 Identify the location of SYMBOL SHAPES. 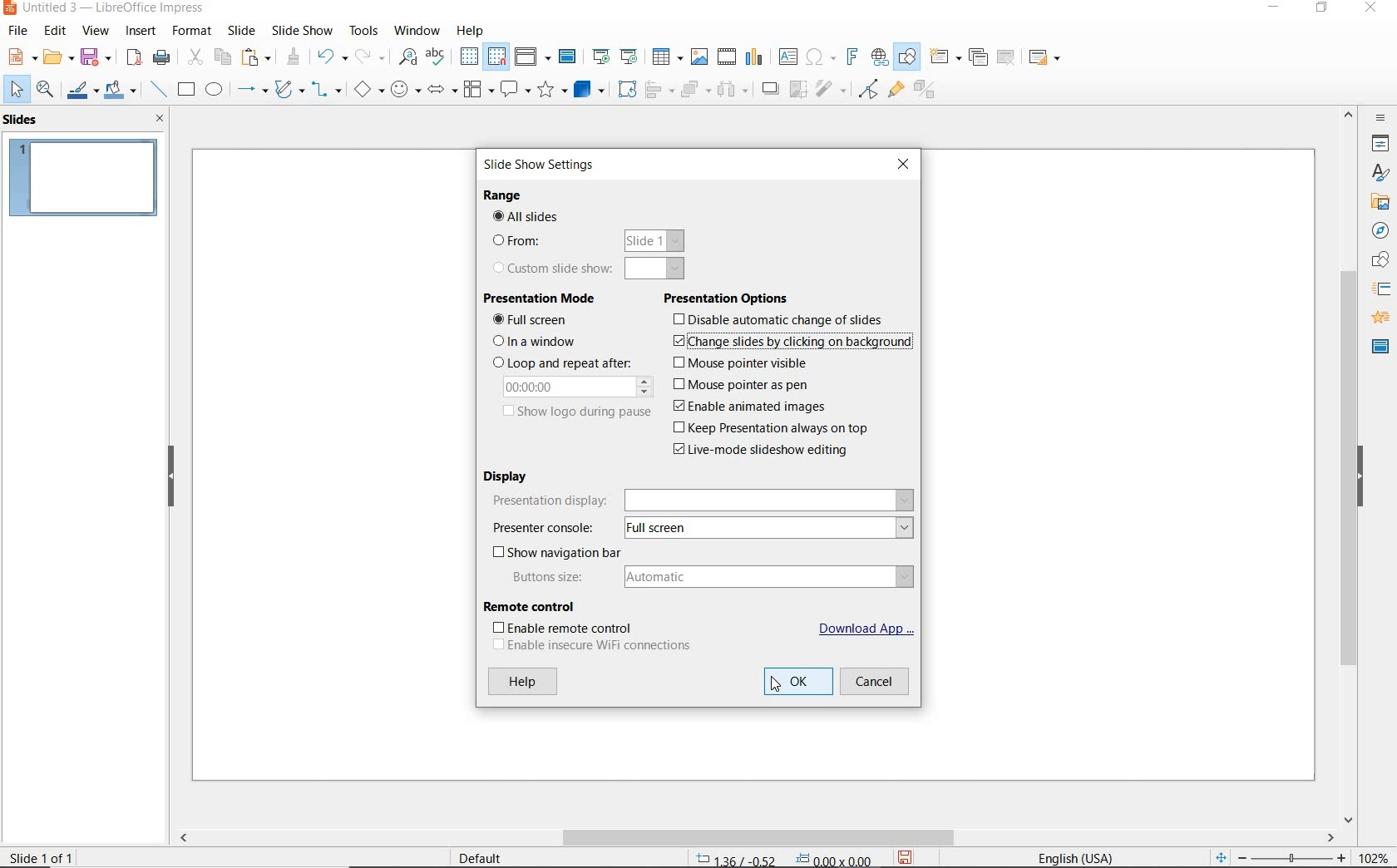
(404, 89).